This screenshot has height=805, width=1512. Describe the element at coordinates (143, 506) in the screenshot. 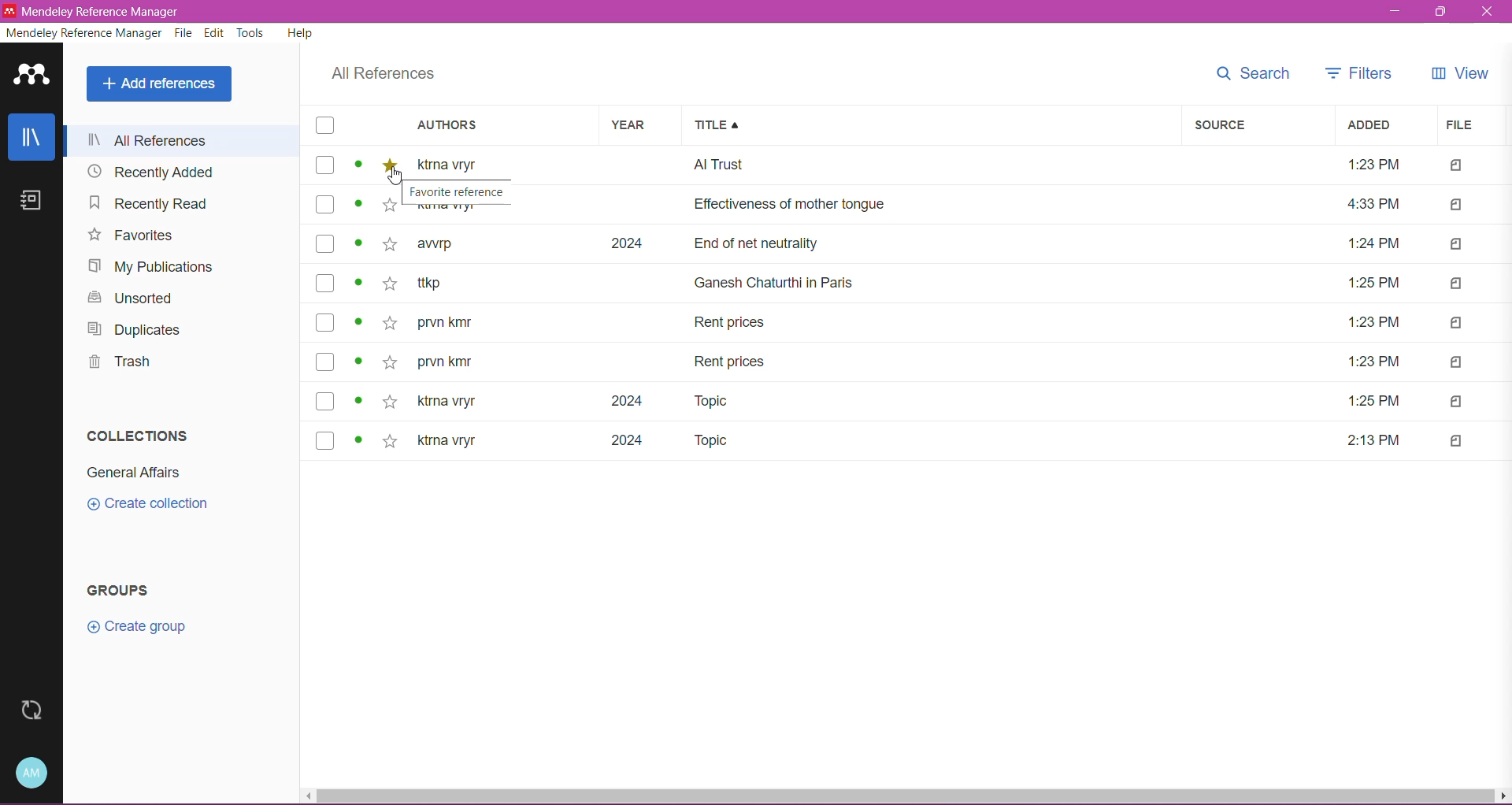

I see `Click to Create Collection` at that location.